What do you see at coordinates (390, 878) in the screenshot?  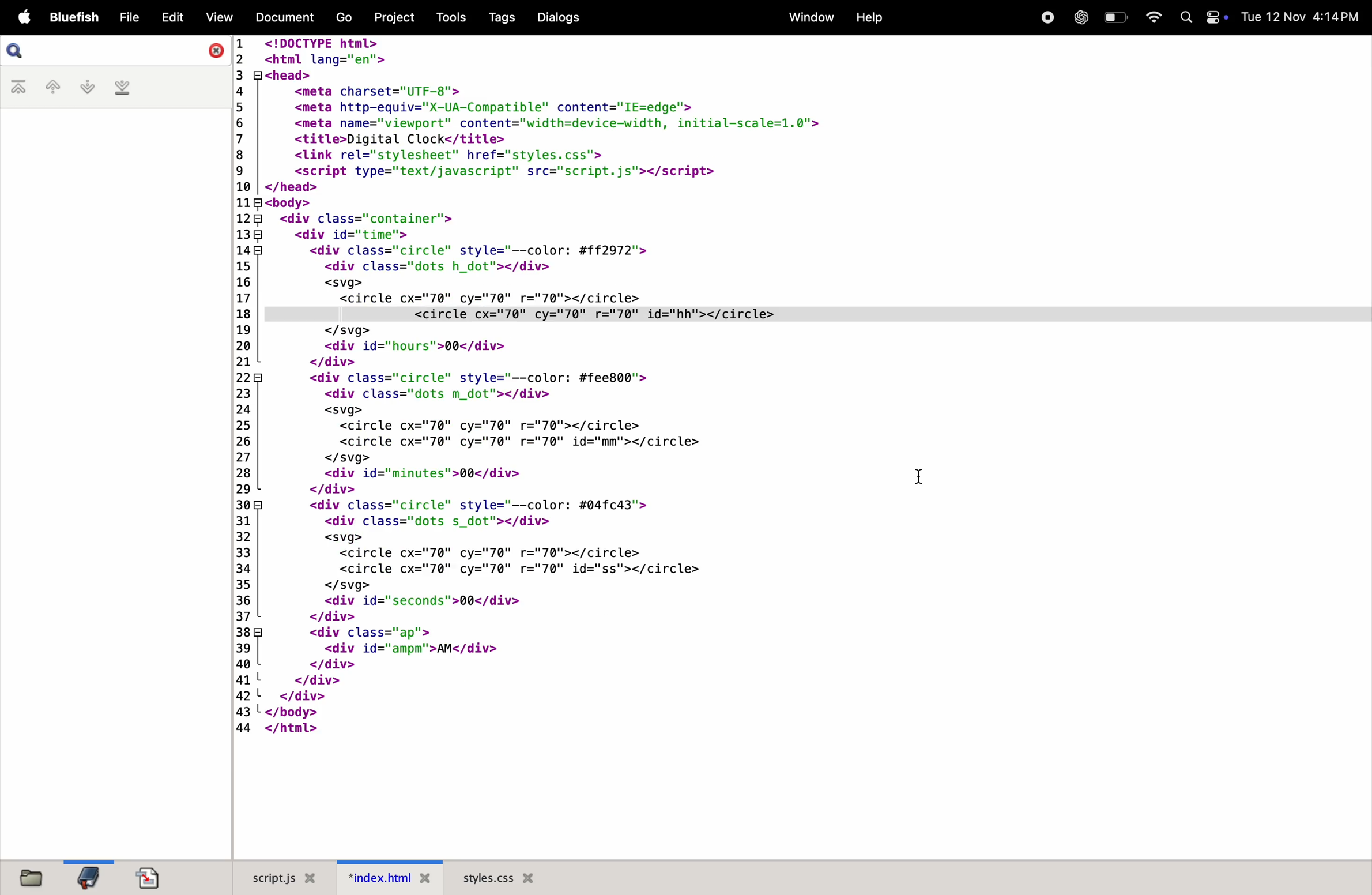 I see `index.html` at bounding box center [390, 878].